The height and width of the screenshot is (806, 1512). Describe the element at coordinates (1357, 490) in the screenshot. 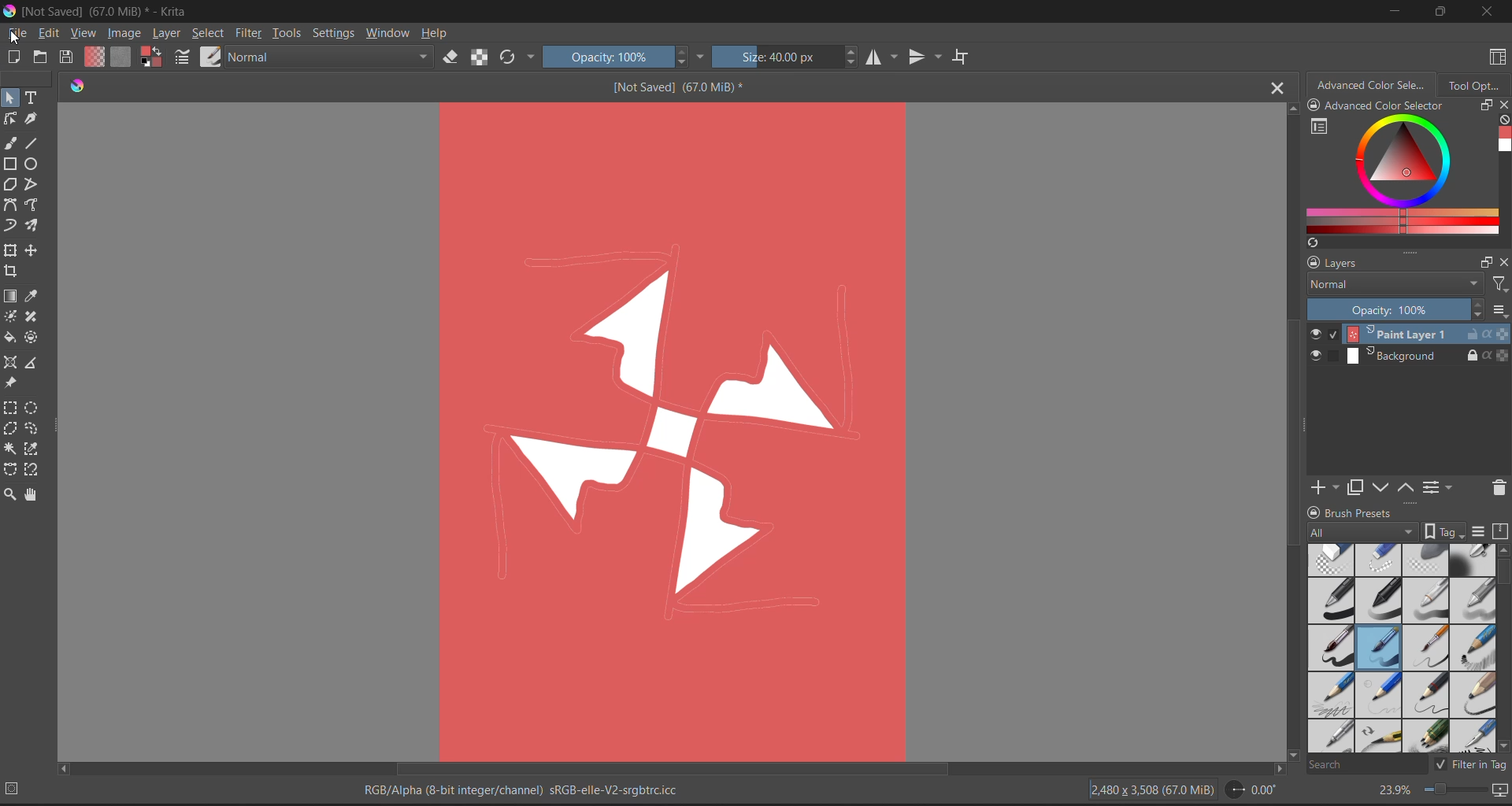

I see `duplicate layer ` at that location.